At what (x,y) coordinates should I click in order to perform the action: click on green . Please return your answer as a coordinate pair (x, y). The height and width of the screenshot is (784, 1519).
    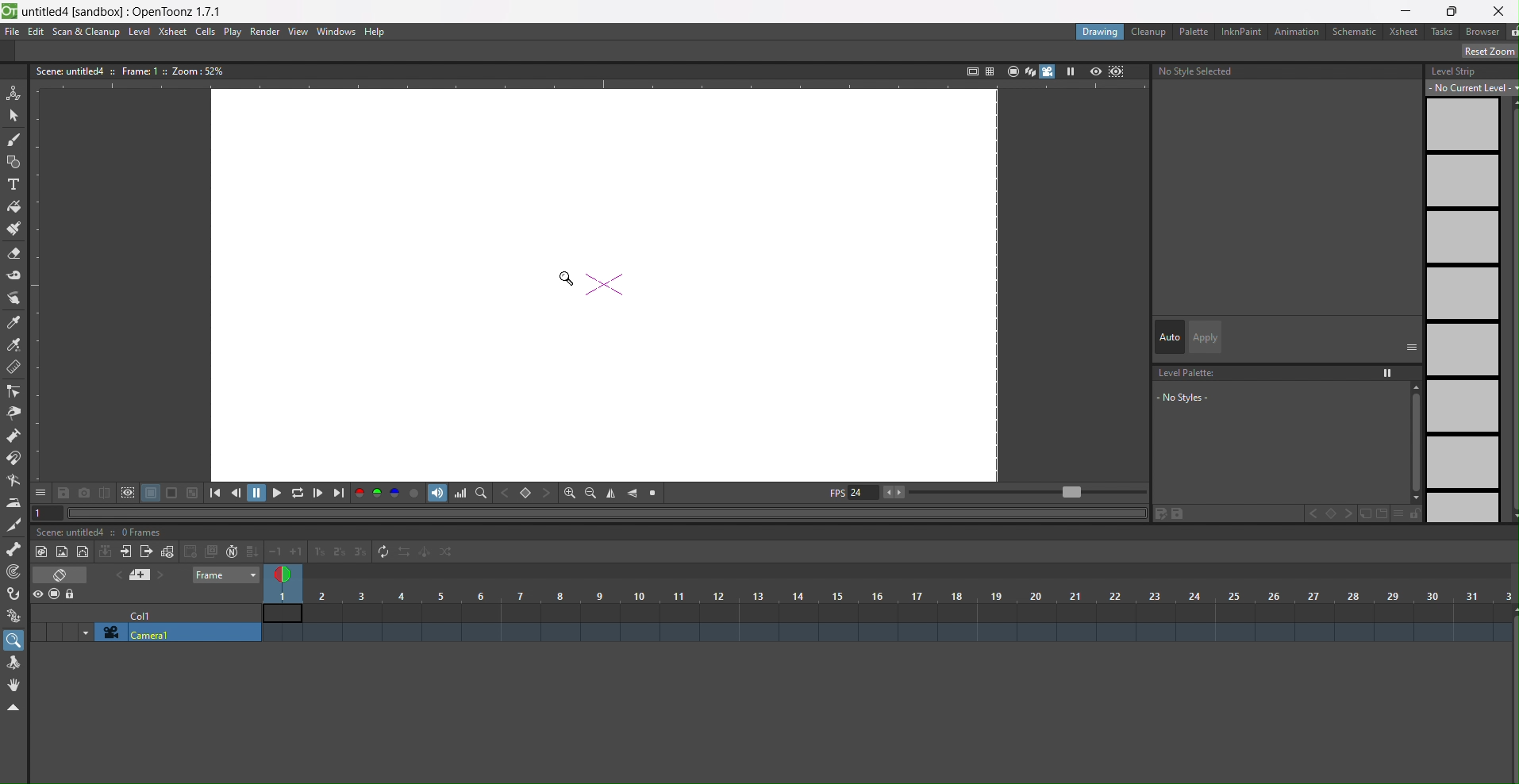
    Looking at the image, I should click on (378, 494).